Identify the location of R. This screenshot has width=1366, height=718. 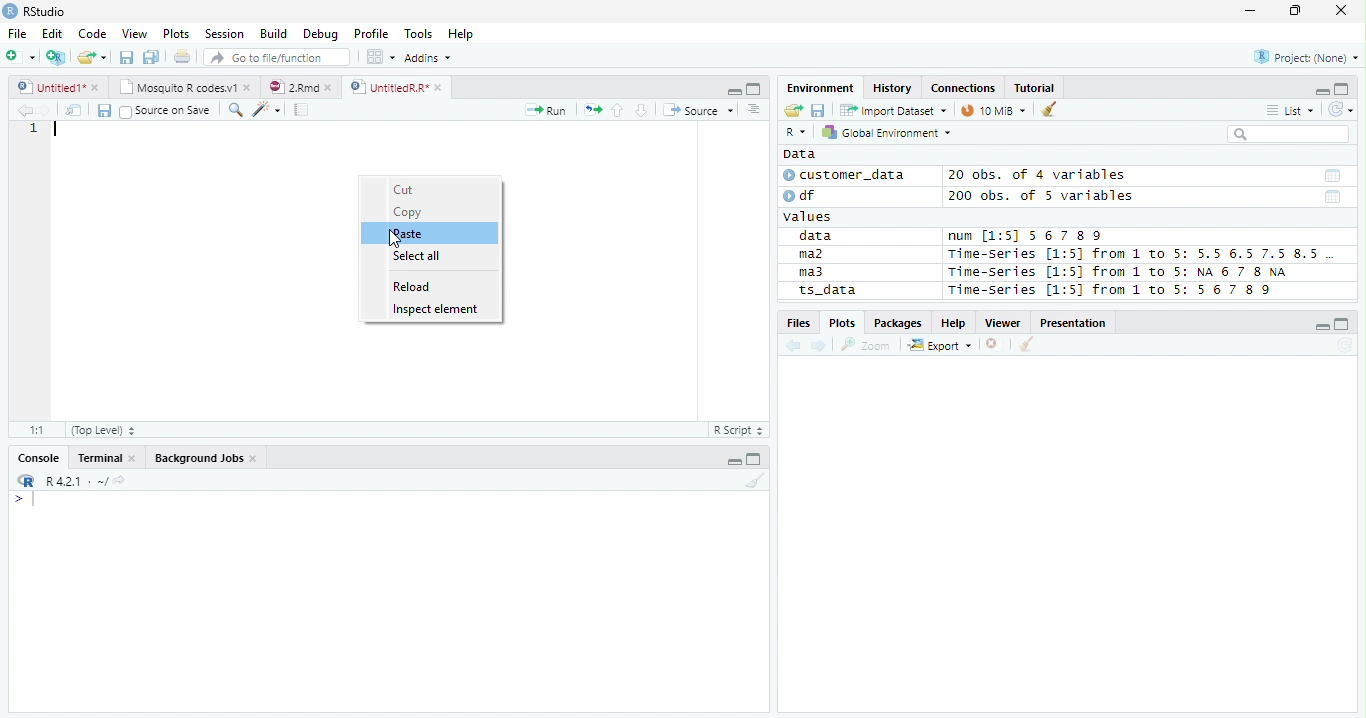
(24, 481).